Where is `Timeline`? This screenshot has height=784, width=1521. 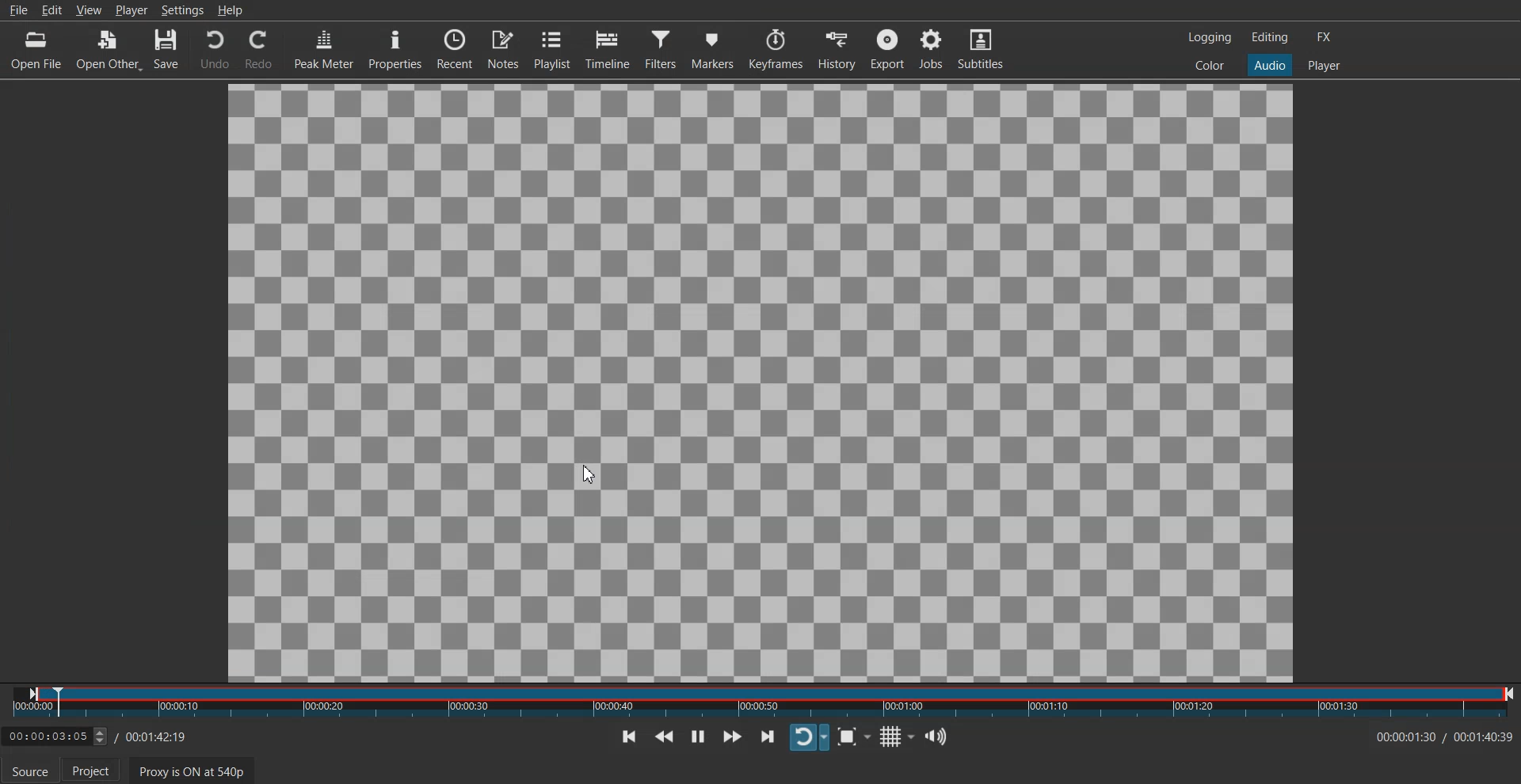
Timeline is located at coordinates (607, 49).